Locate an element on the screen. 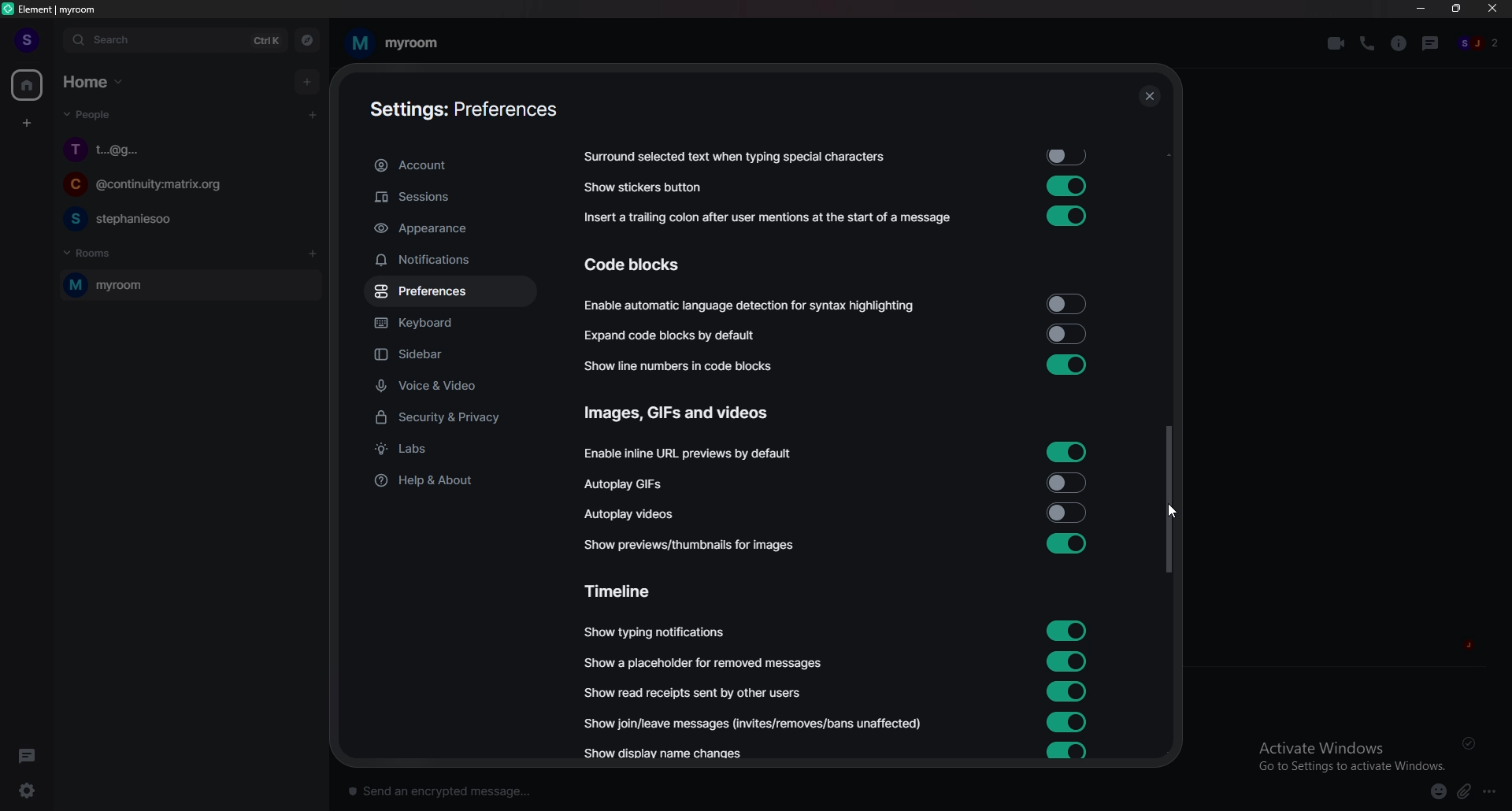 This screenshot has width=1512, height=811. toggle is located at coordinates (1068, 628).